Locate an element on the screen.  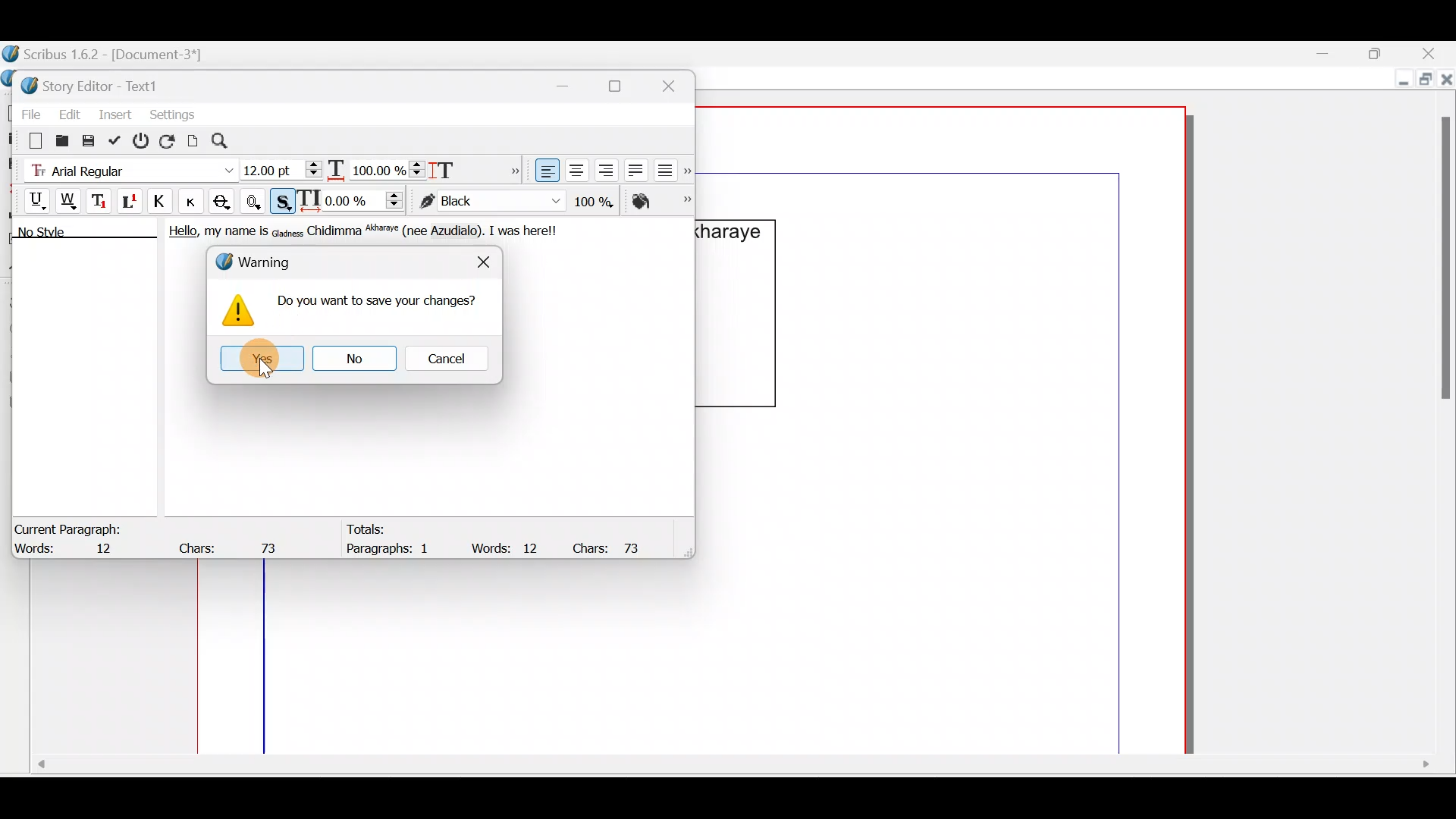
Maximize is located at coordinates (624, 86).